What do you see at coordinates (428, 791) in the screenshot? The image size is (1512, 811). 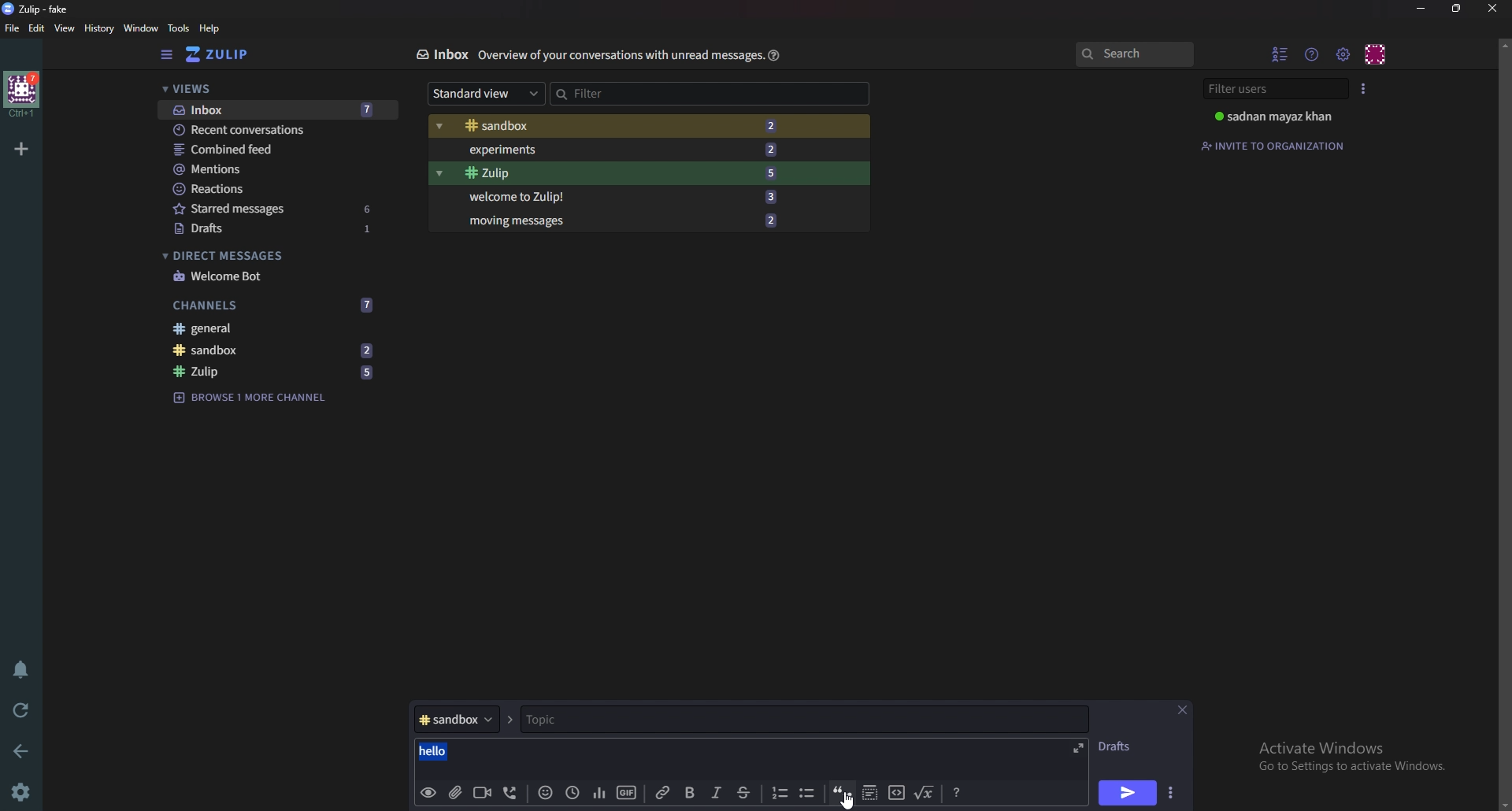 I see `preview` at bounding box center [428, 791].